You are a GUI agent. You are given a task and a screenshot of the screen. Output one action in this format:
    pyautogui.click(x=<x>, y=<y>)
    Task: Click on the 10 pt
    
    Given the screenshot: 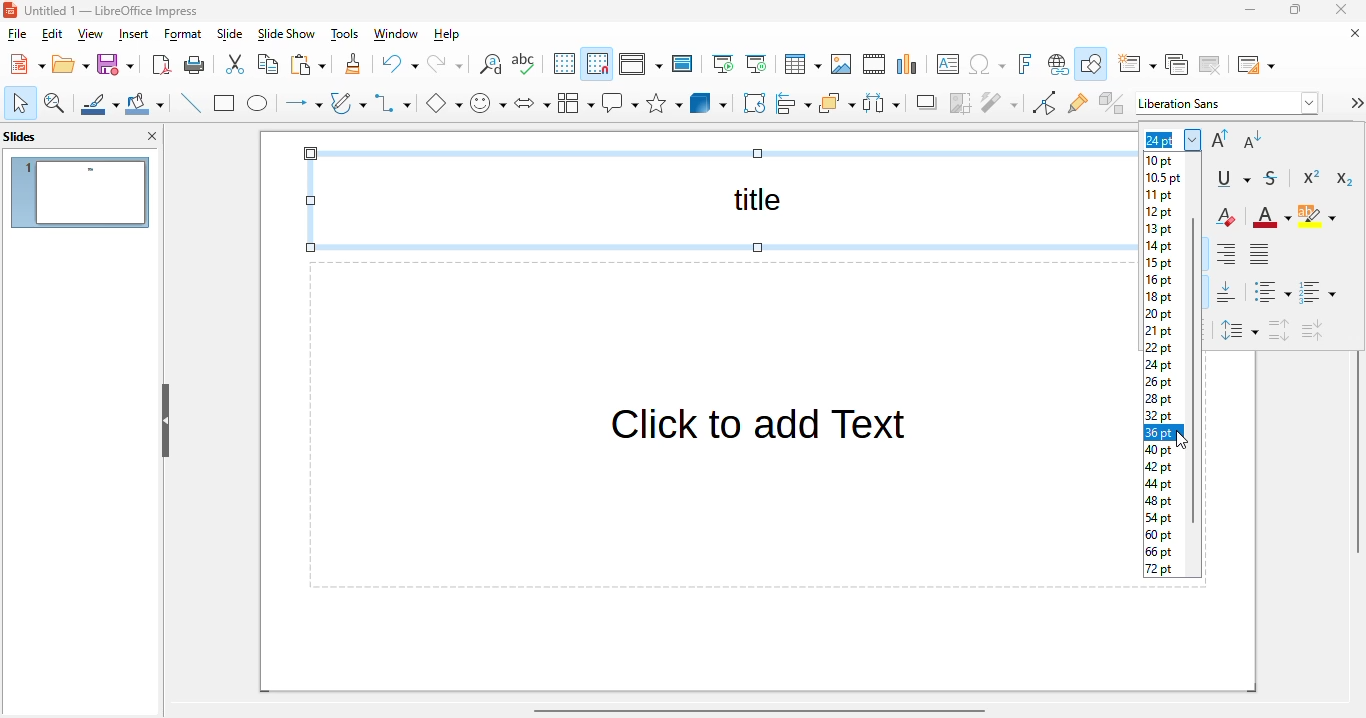 What is the action you would take?
    pyautogui.click(x=1160, y=161)
    